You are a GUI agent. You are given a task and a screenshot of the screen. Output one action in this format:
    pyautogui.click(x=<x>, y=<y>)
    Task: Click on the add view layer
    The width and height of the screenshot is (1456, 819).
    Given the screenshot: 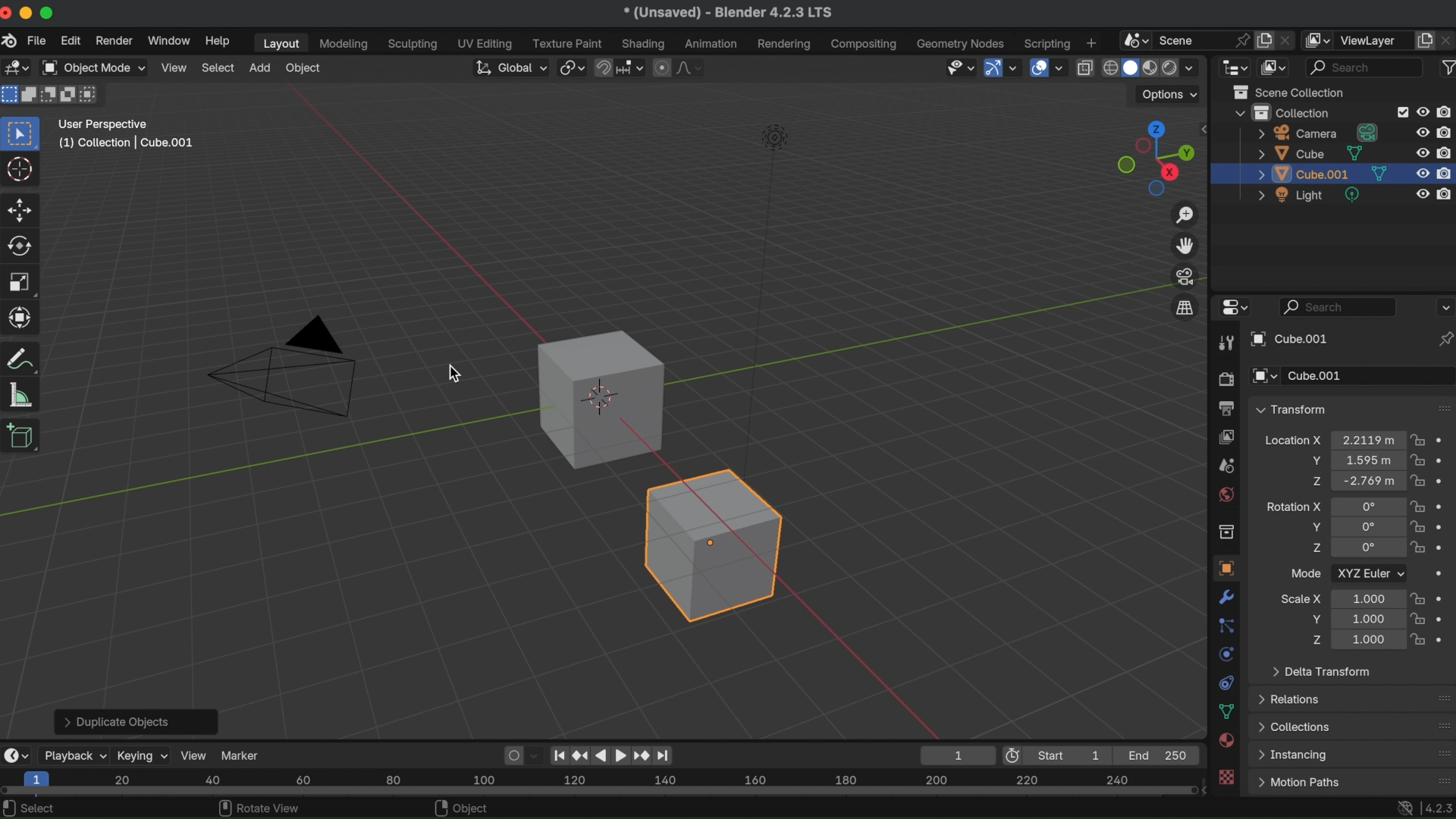 What is the action you would take?
    pyautogui.click(x=1425, y=39)
    